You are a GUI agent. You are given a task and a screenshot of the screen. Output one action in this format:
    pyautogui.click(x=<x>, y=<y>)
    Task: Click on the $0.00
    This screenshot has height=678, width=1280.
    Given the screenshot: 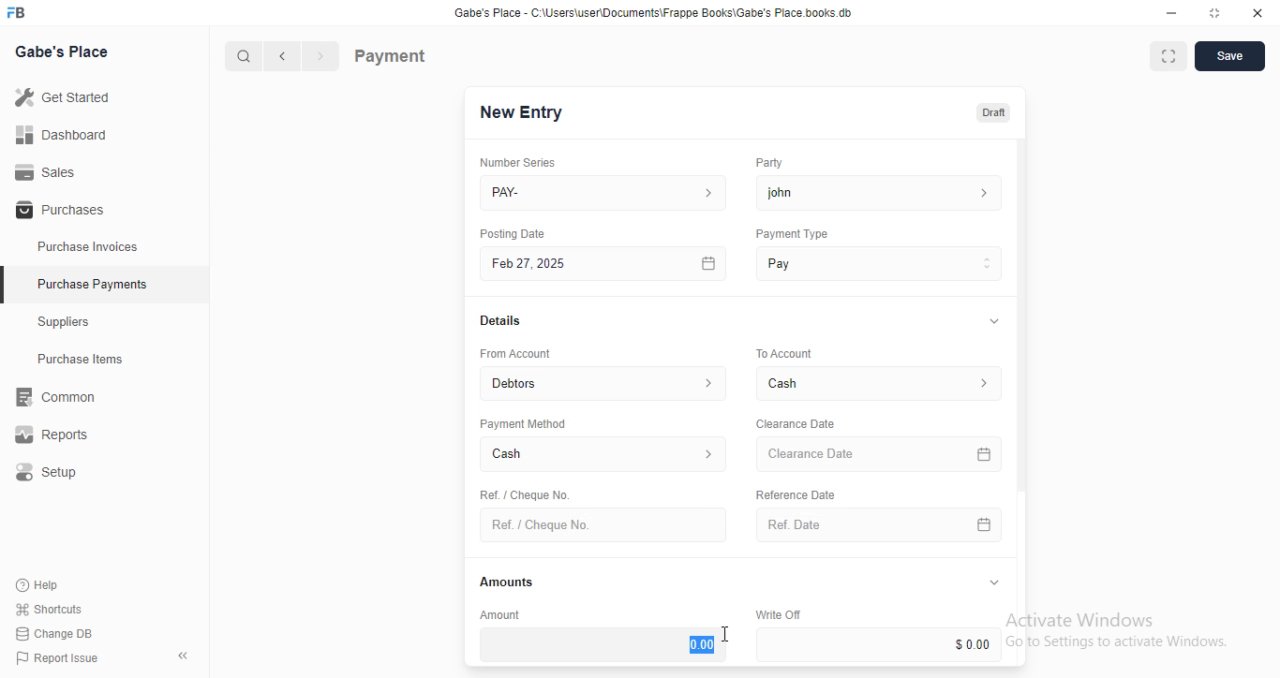 What is the action you would take?
    pyautogui.click(x=882, y=644)
    